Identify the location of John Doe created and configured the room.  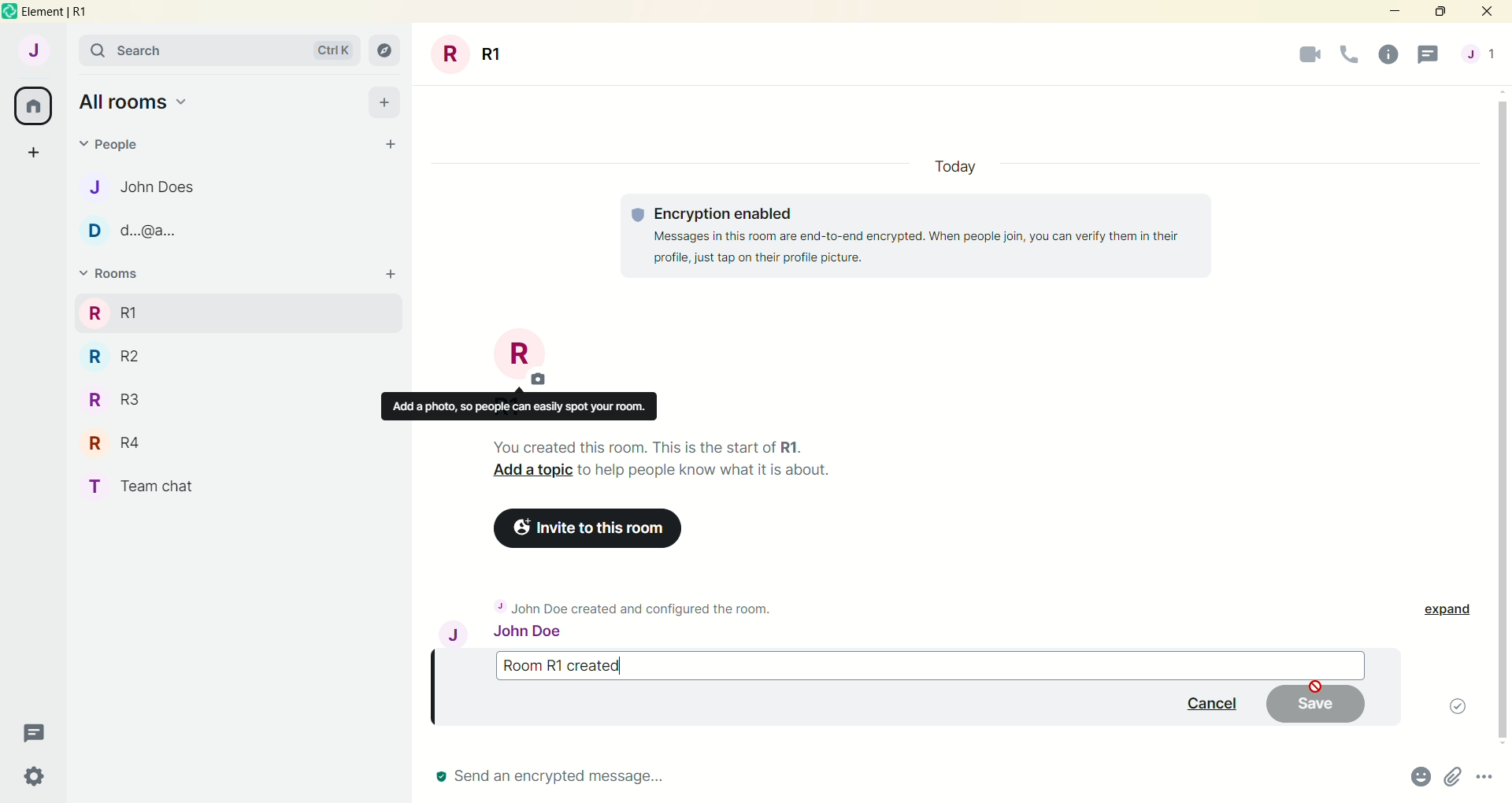
(647, 607).